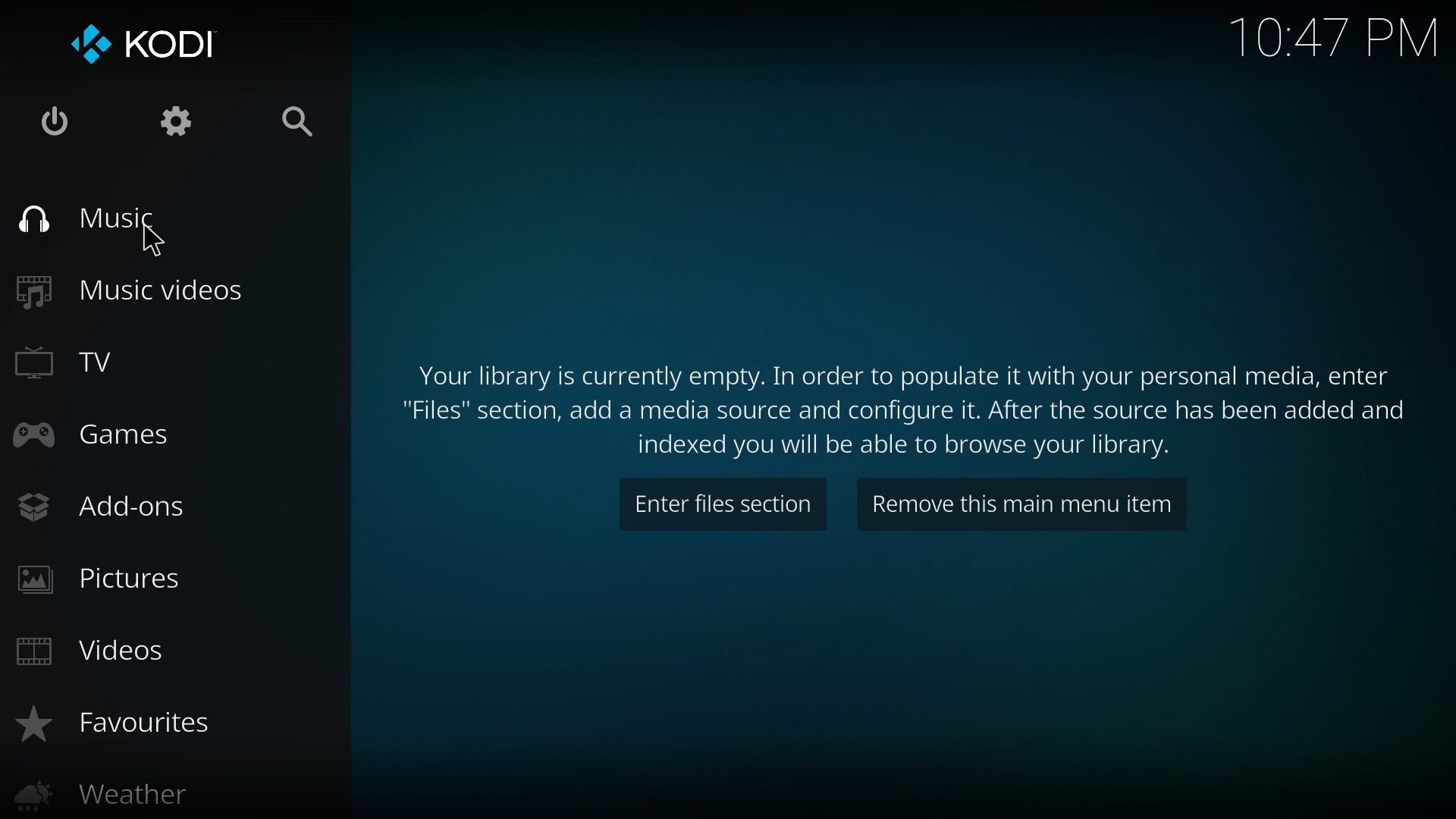 Image resolution: width=1456 pixels, height=819 pixels. Describe the element at coordinates (74, 220) in the screenshot. I see `music` at that location.